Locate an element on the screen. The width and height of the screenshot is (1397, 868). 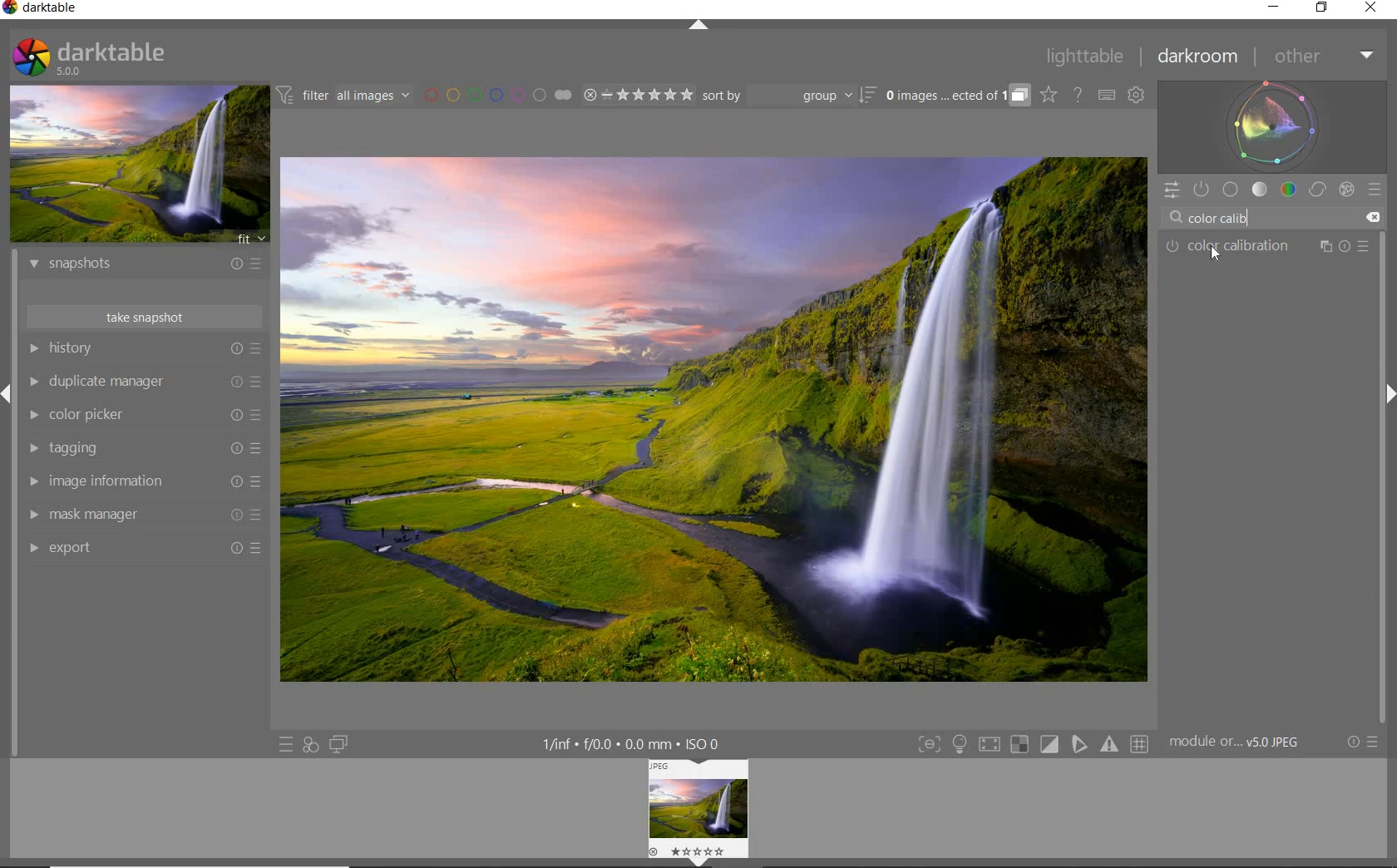
SET KEYBOARD SHORTCUTS is located at coordinates (1108, 96).